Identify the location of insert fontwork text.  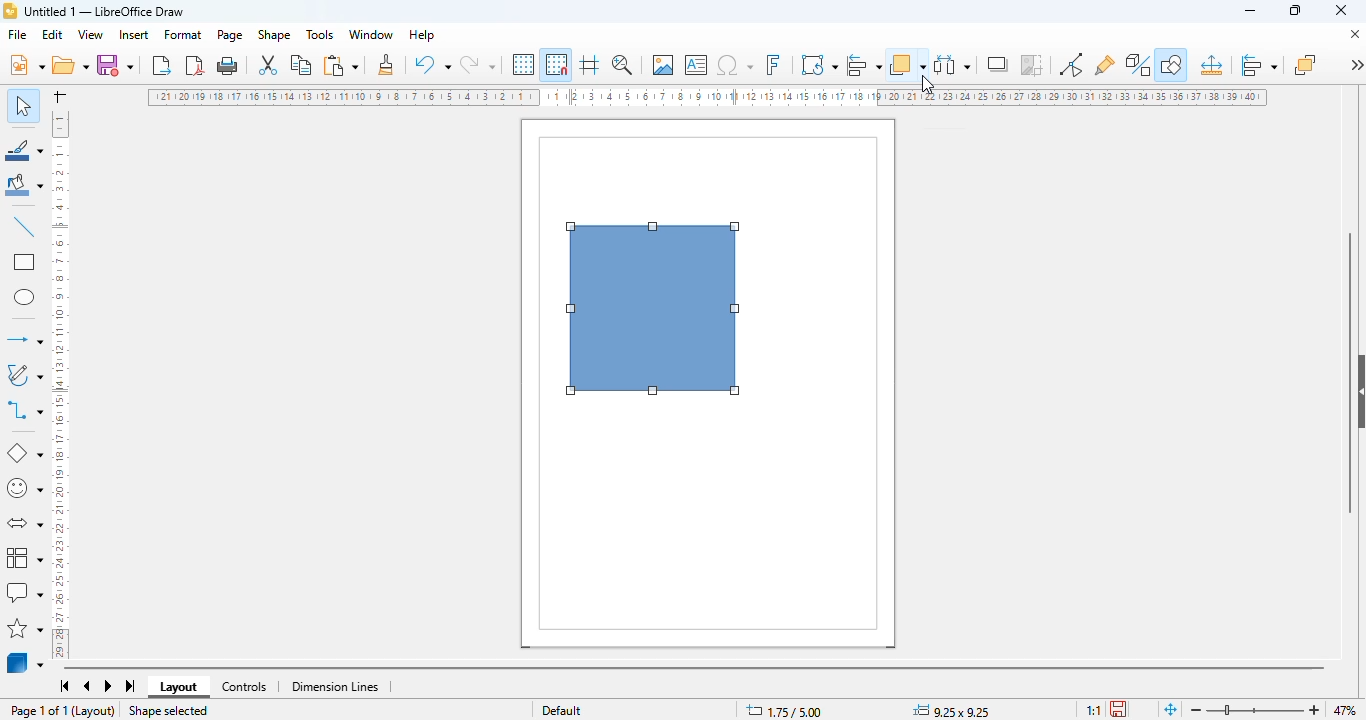
(773, 64).